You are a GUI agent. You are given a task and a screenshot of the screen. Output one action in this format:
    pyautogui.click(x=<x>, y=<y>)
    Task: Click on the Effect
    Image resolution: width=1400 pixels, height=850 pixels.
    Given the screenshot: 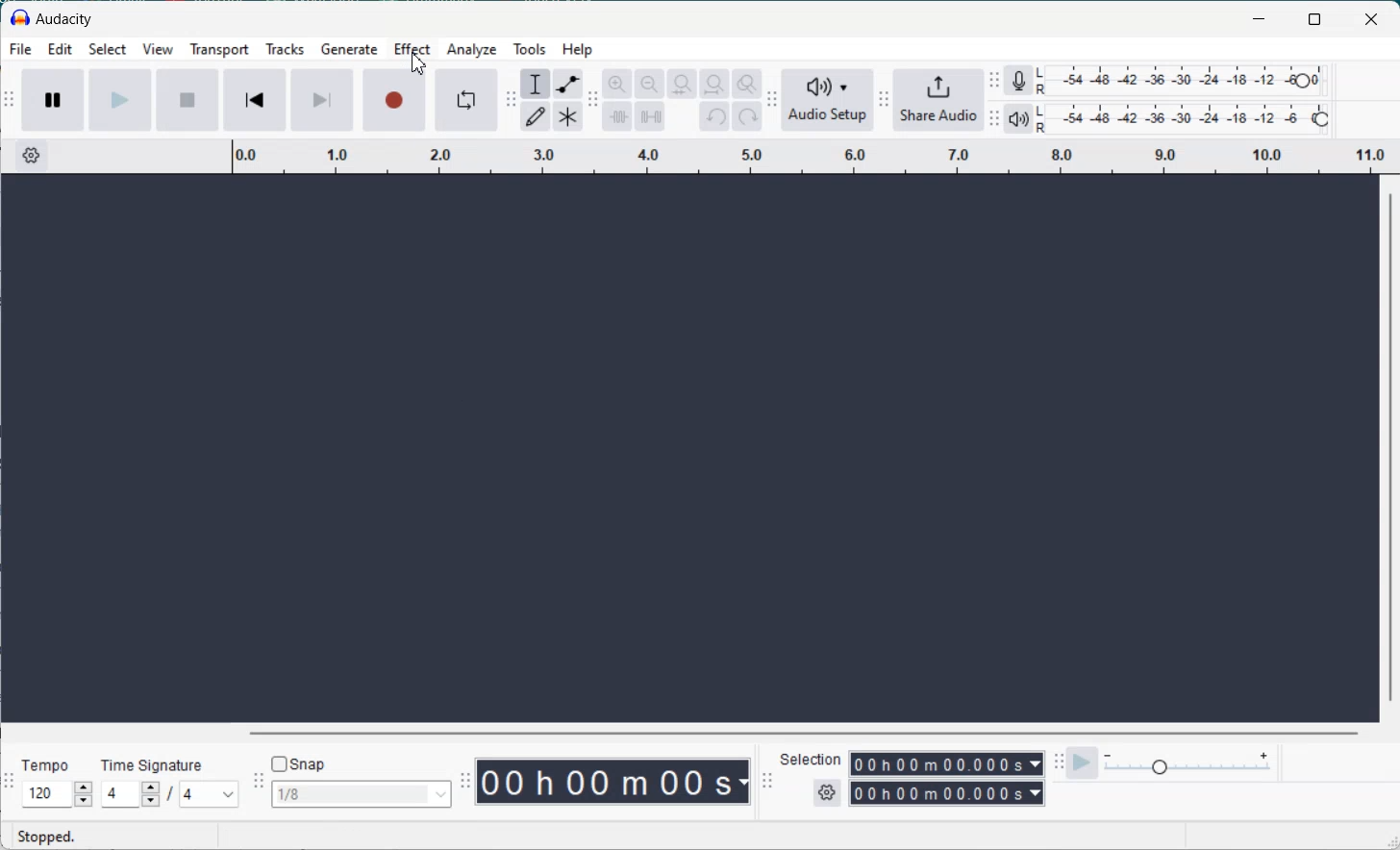 What is the action you would take?
    pyautogui.click(x=412, y=51)
    